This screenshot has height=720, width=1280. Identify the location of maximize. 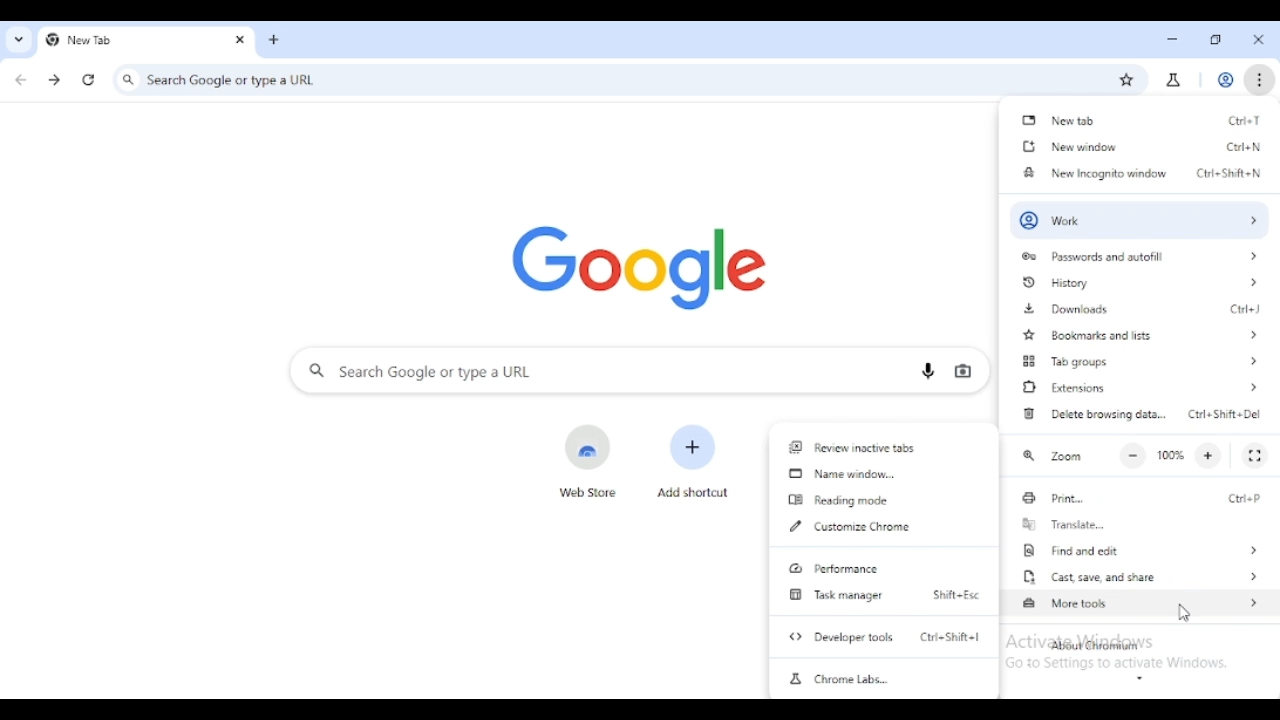
(1218, 41).